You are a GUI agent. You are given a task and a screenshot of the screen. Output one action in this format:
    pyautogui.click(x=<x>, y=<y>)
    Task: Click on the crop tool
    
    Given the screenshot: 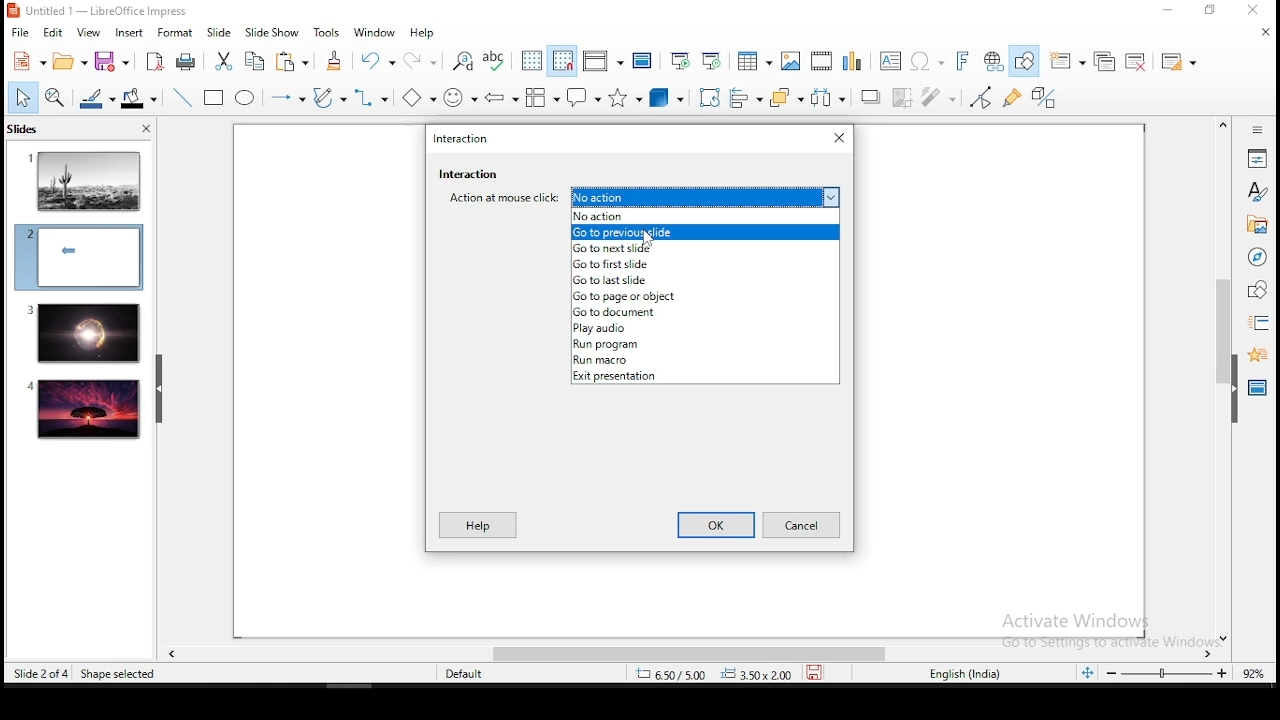 What is the action you would take?
    pyautogui.click(x=710, y=98)
    